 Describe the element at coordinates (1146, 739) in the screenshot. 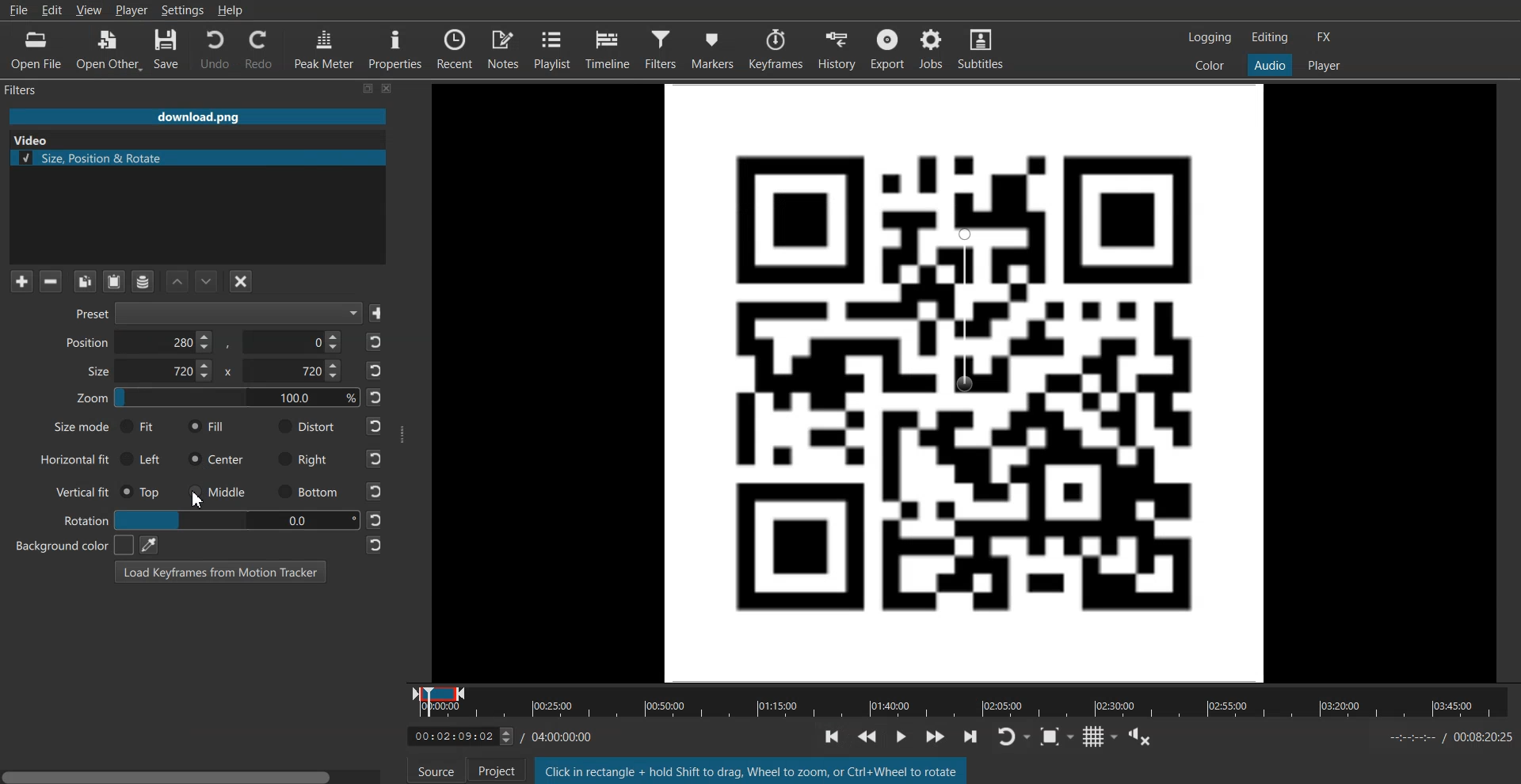

I see `Show the volume control` at that location.